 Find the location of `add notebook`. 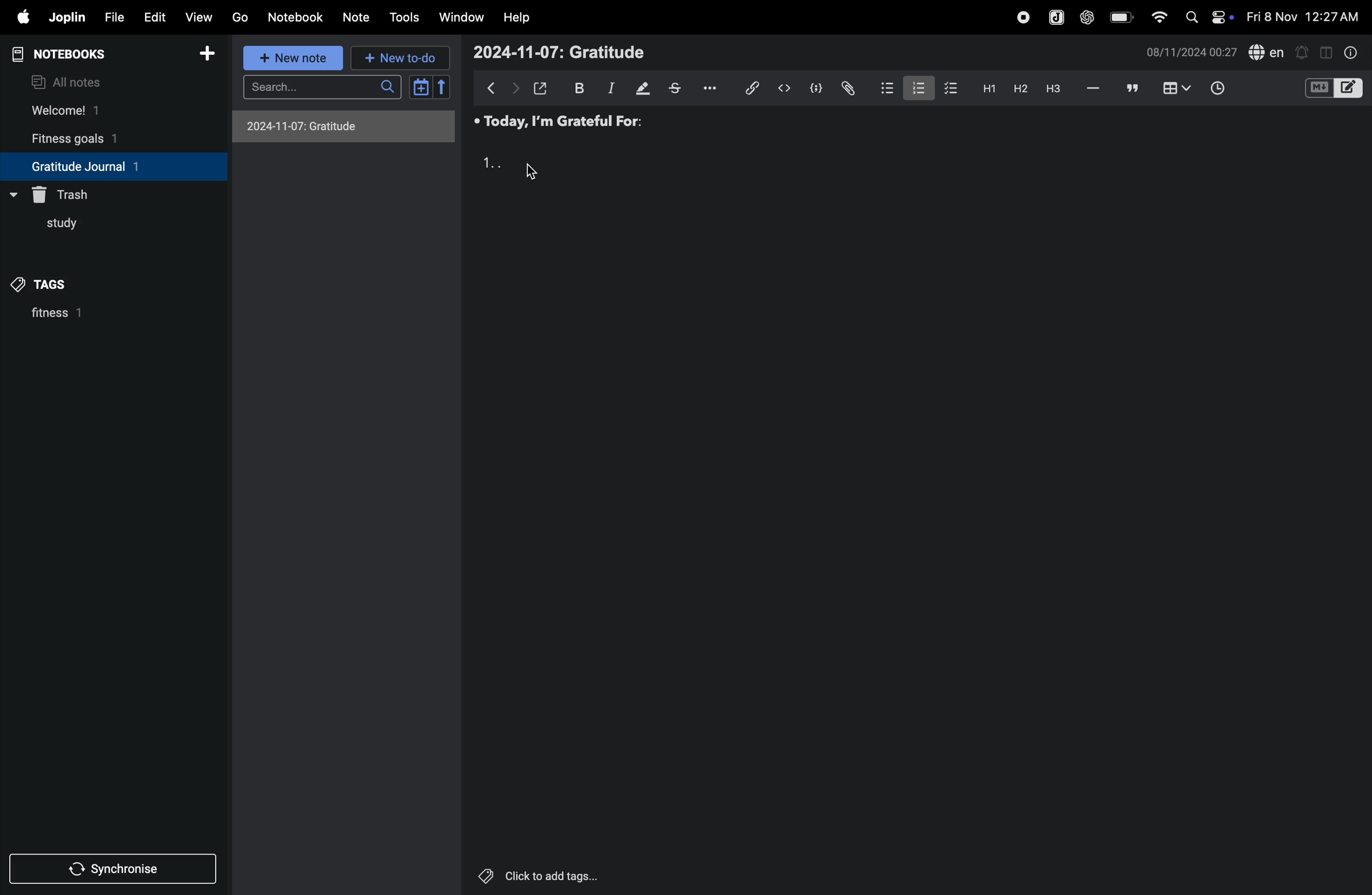

add notebook is located at coordinates (202, 54).